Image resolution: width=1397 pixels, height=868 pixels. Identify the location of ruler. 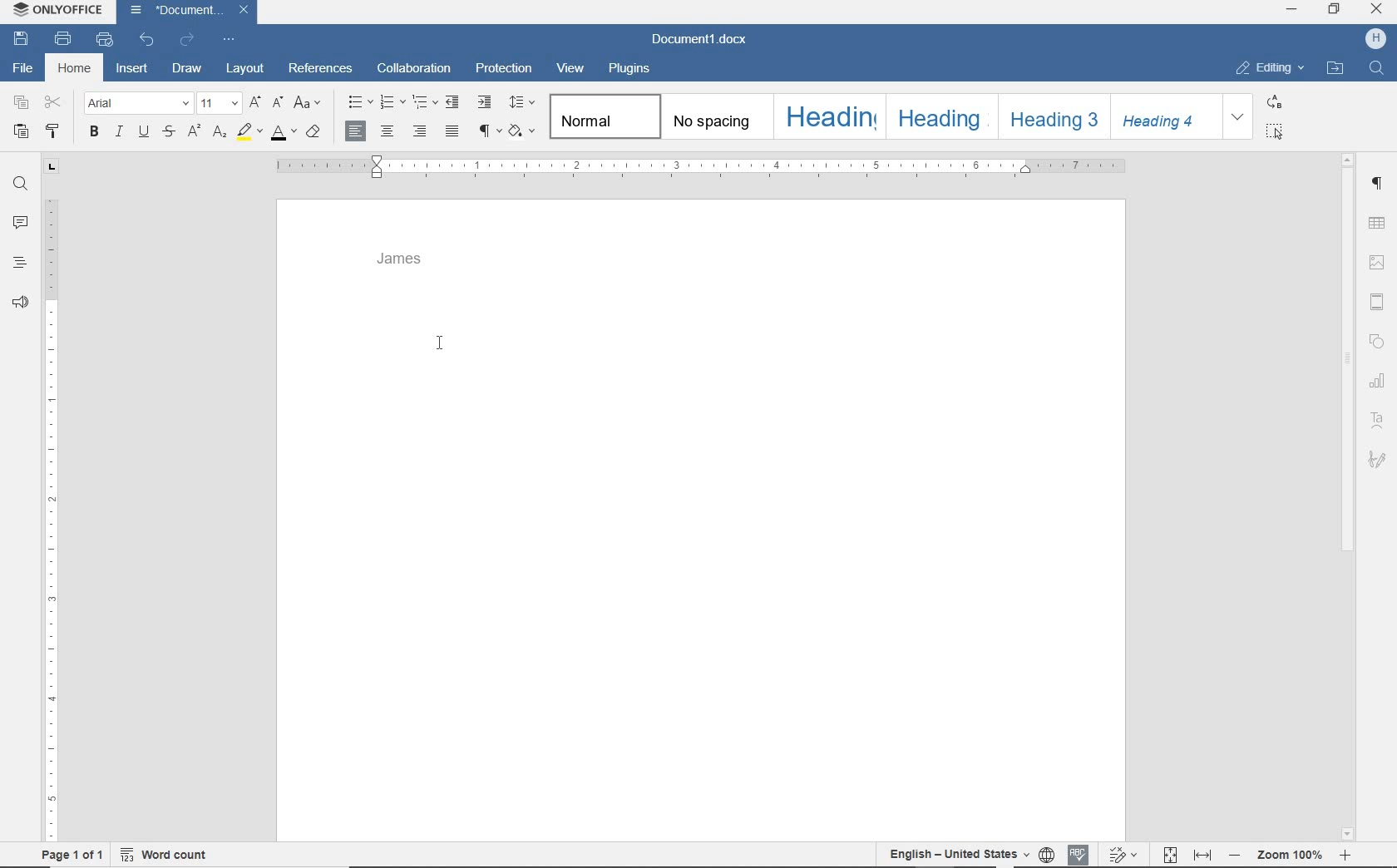
(694, 167).